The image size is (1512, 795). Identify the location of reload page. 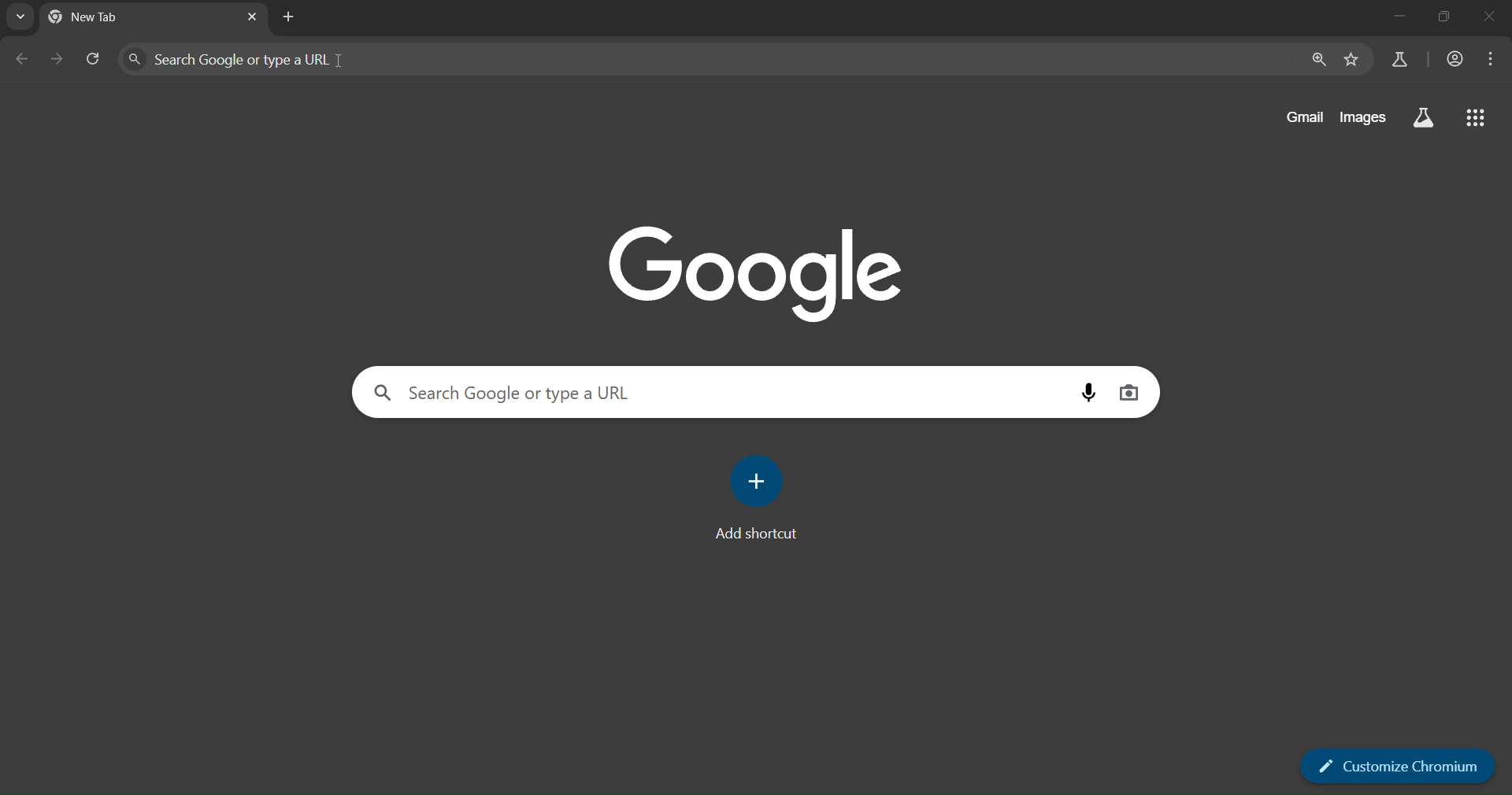
(94, 56).